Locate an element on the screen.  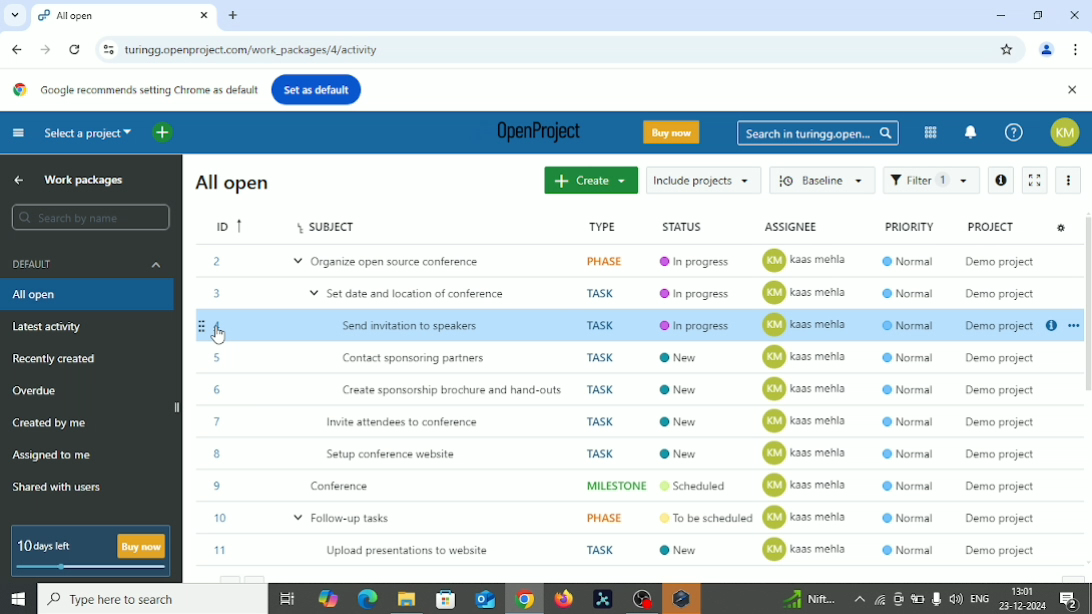
Current tab is located at coordinates (109, 16).